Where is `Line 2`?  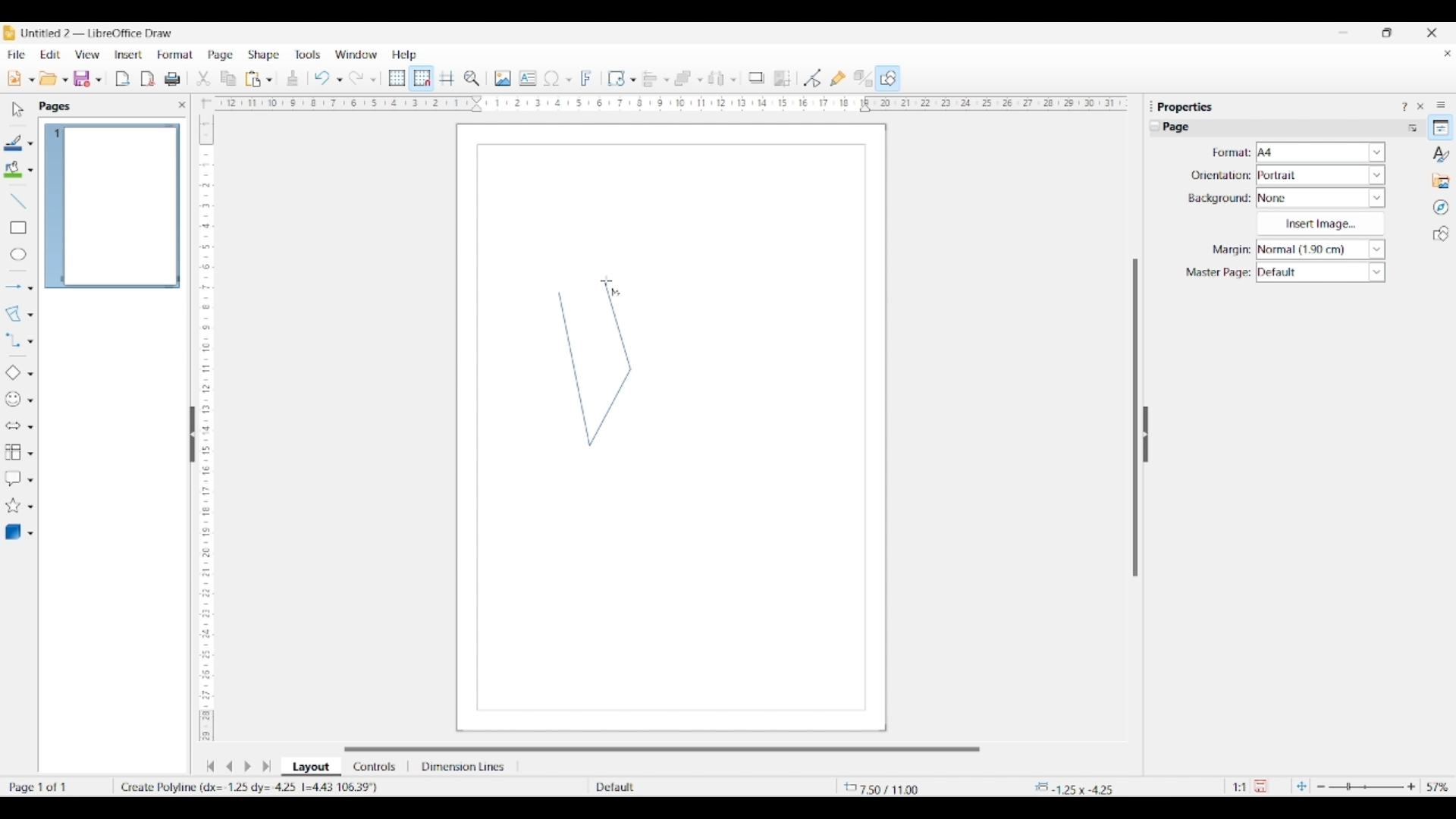 Line 2 is located at coordinates (610, 406).